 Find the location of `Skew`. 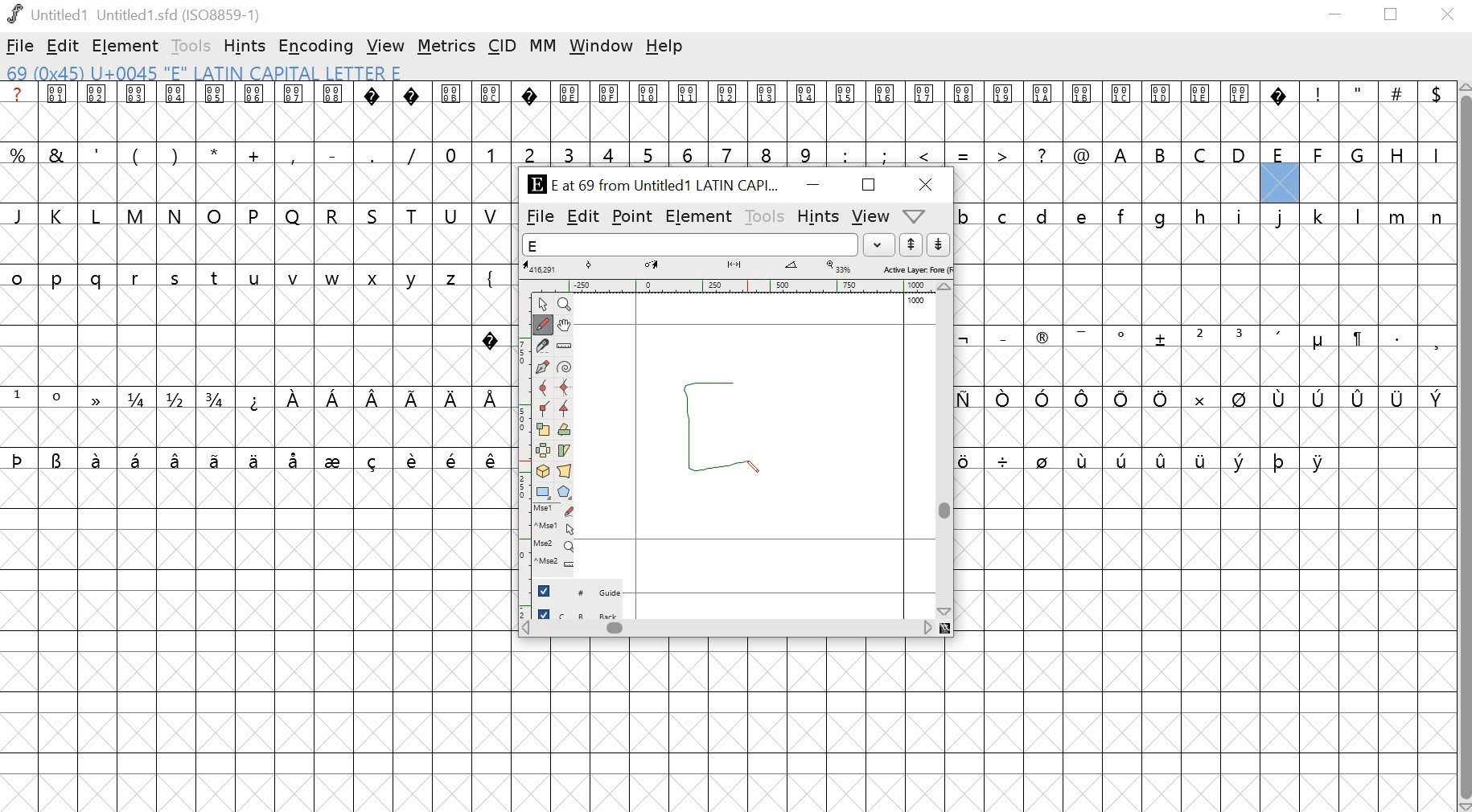

Skew is located at coordinates (566, 450).